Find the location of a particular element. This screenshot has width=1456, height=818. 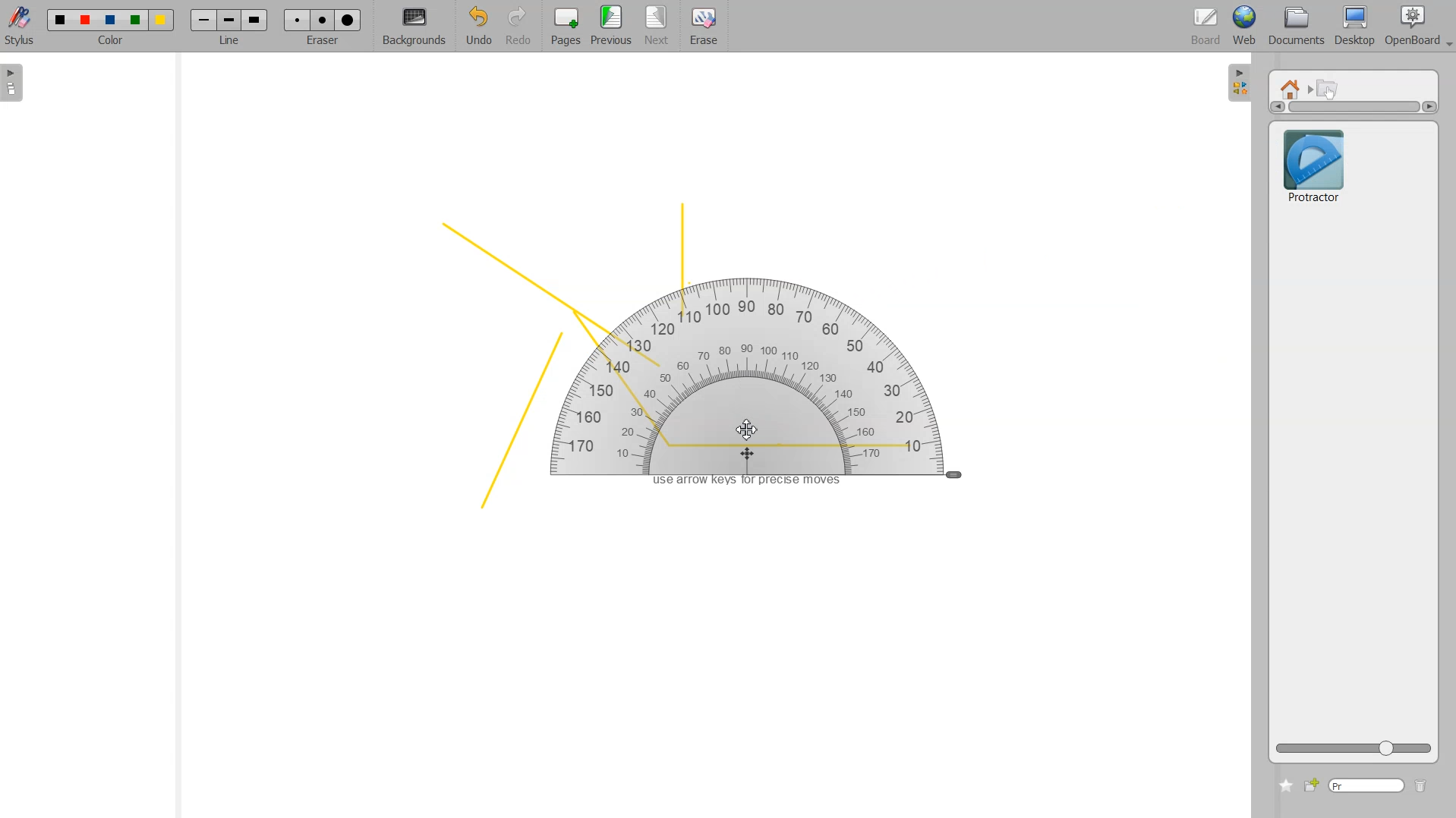

Cursor is located at coordinates (747, 428).